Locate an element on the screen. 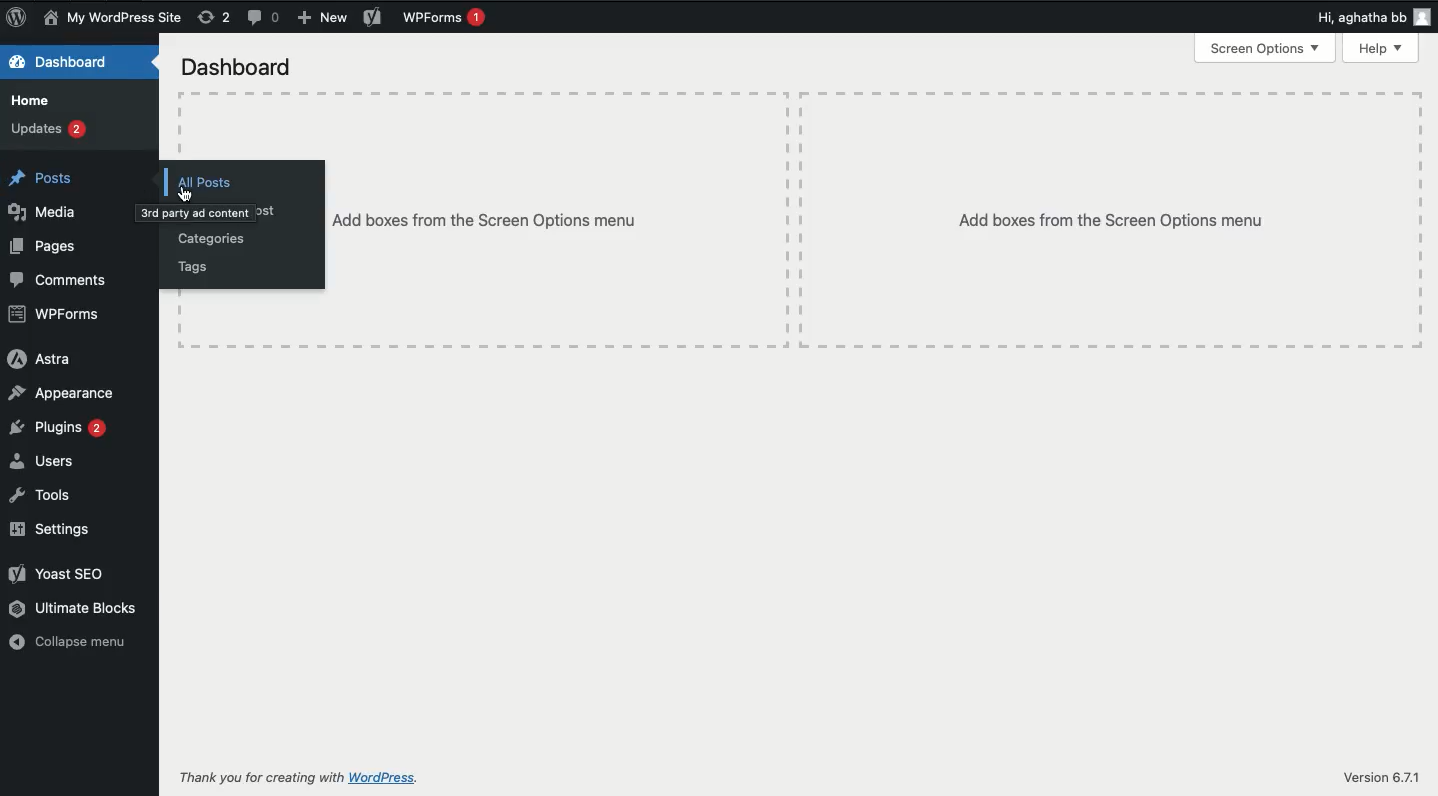 This screenshot has height=796, width=1438. Tags is located at coordinates (192, 269).